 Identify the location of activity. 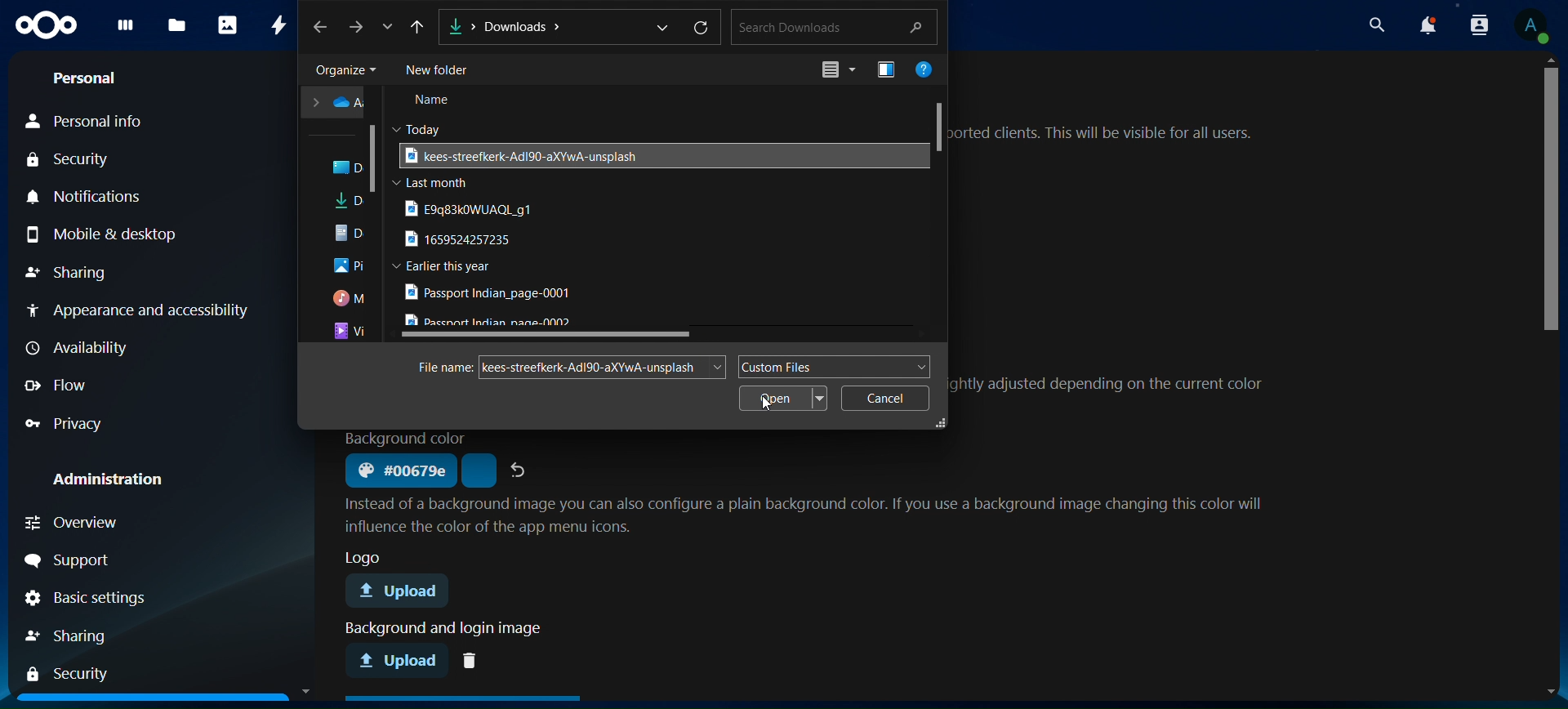
(280, 24).